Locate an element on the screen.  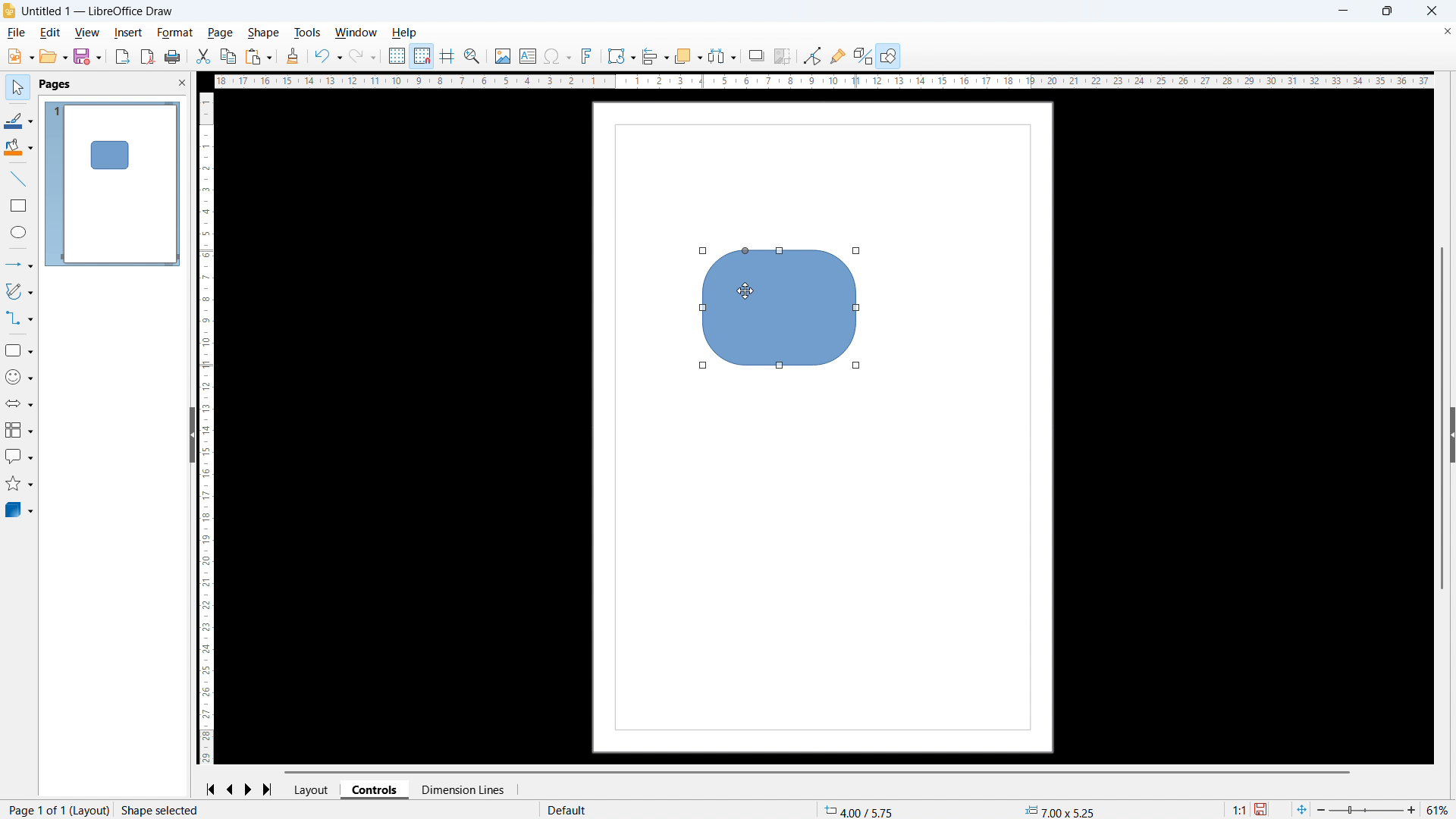
Export  is located at coordinates (122, 56).